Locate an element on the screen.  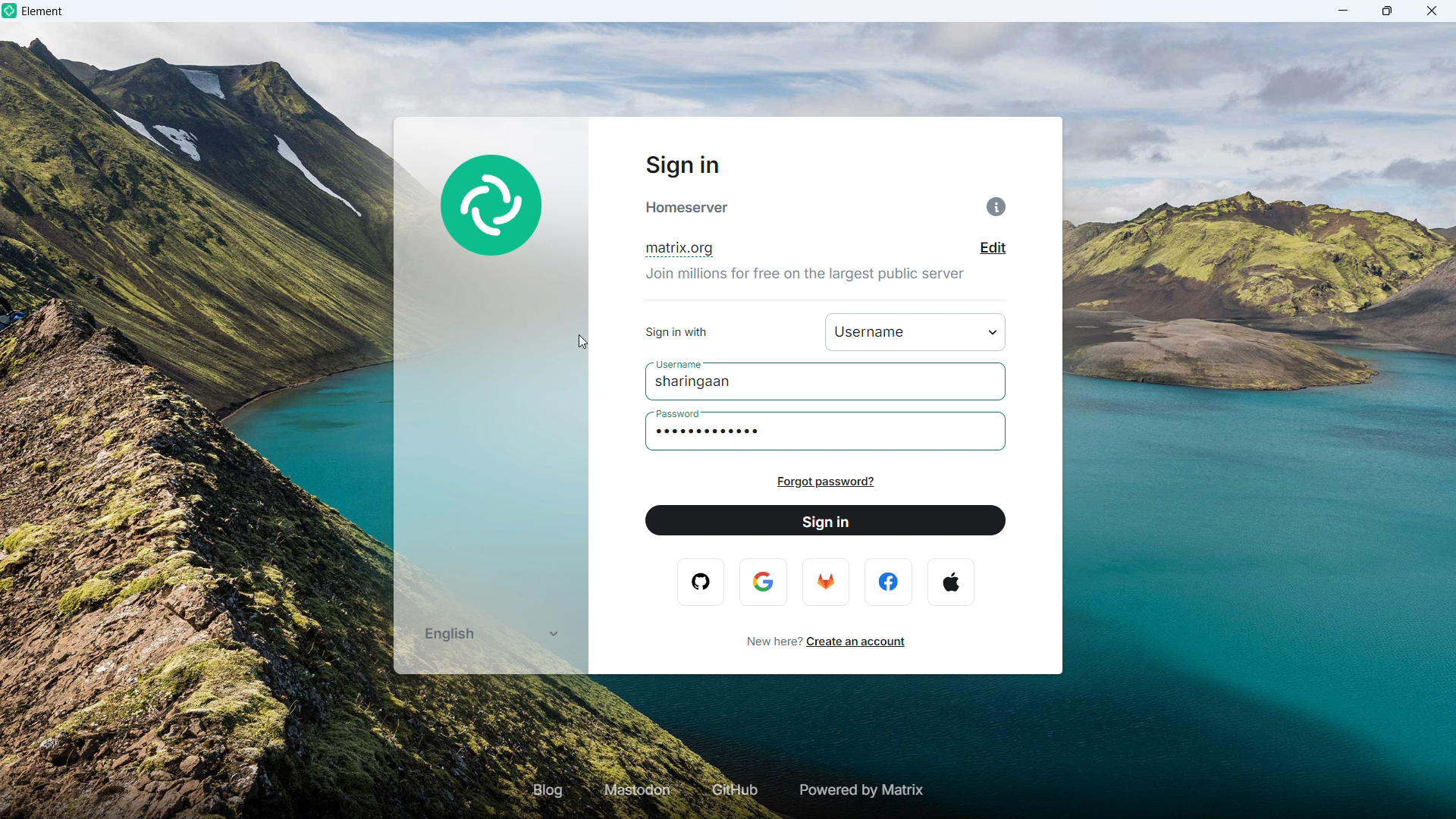
Blog  is located at coordinates (548, 789).